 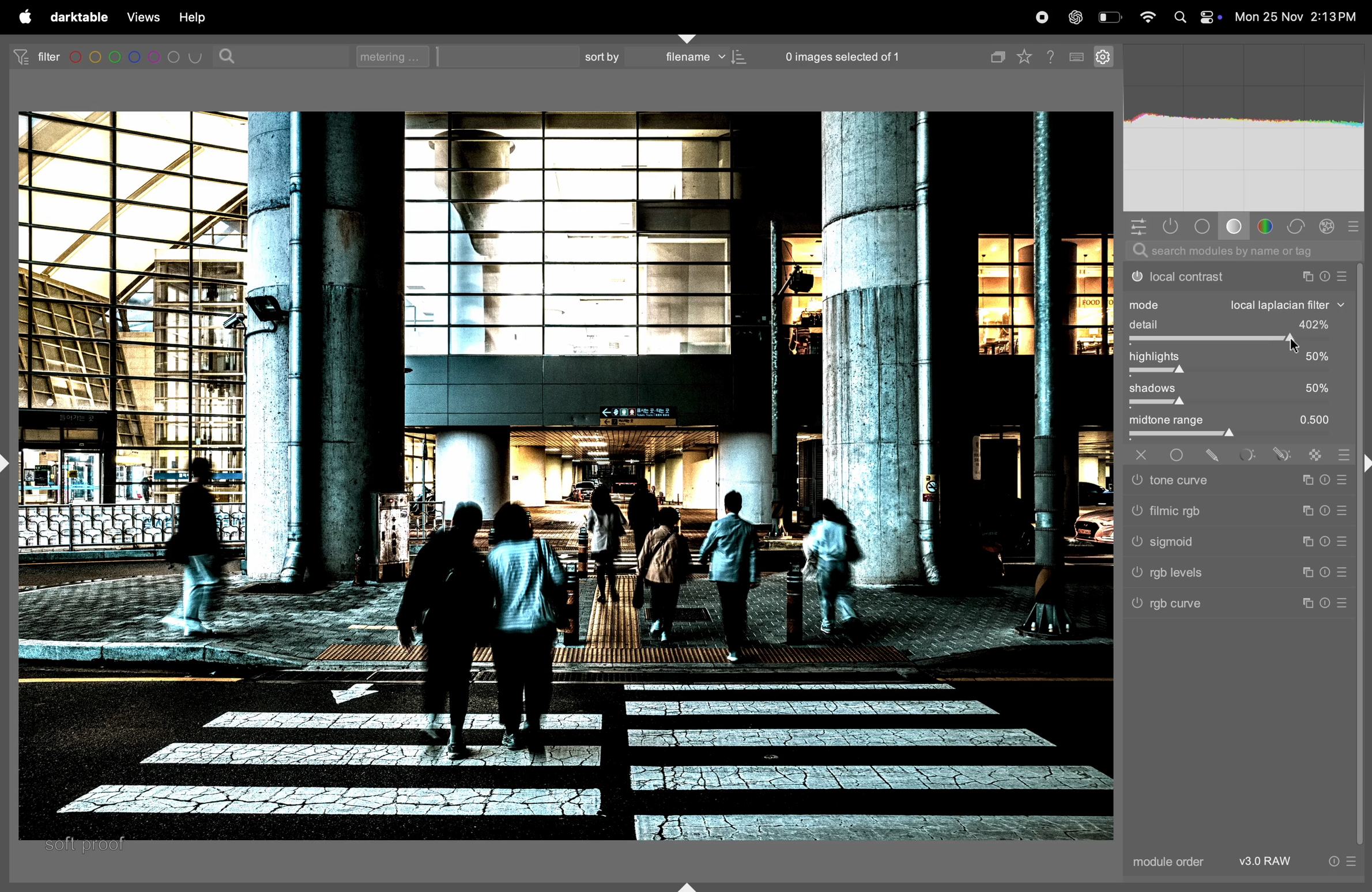 I want to click on search, so click(x=1237, y=253).